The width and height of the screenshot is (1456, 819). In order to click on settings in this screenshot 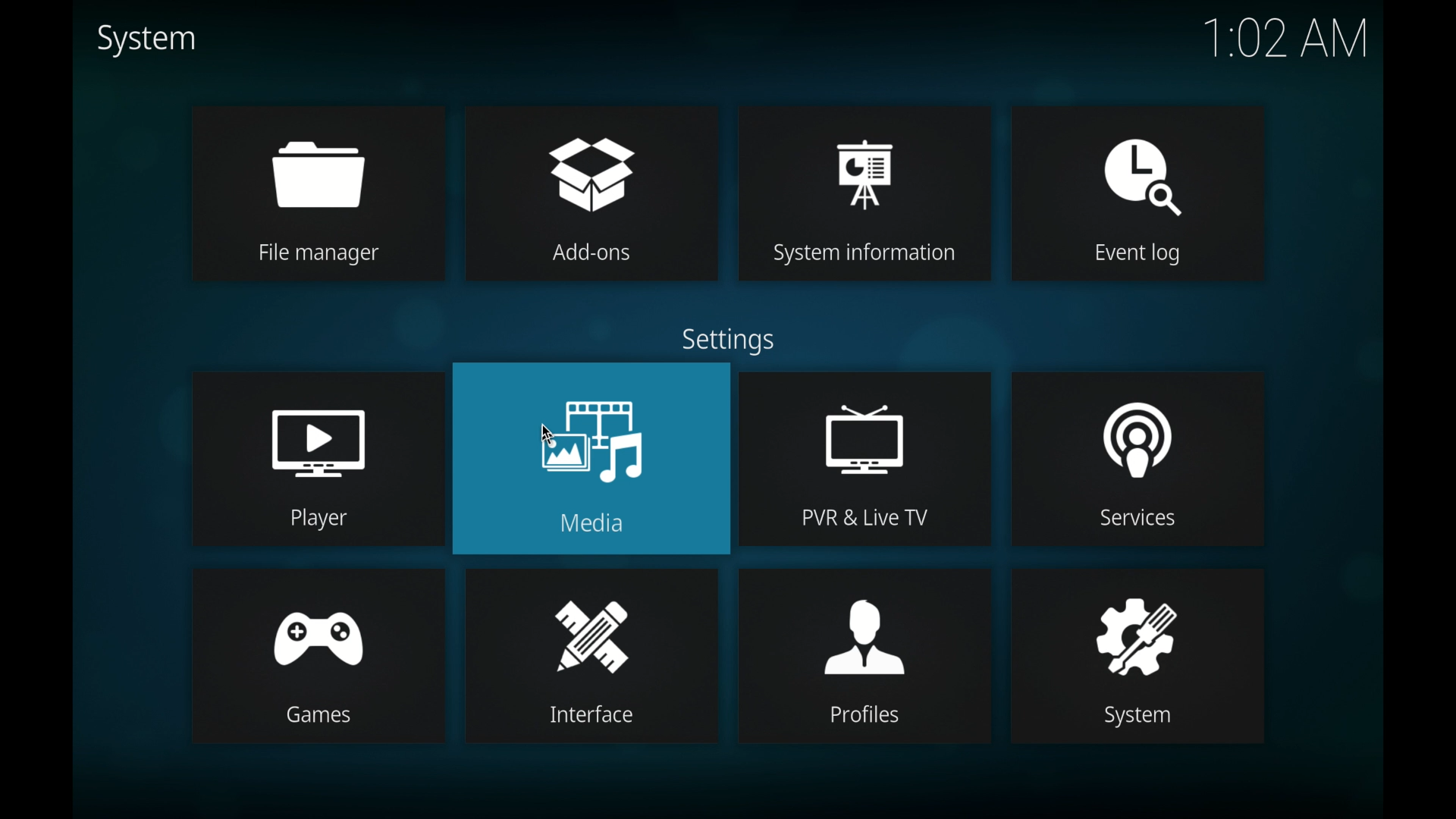, I will do `click(733, 340)`.